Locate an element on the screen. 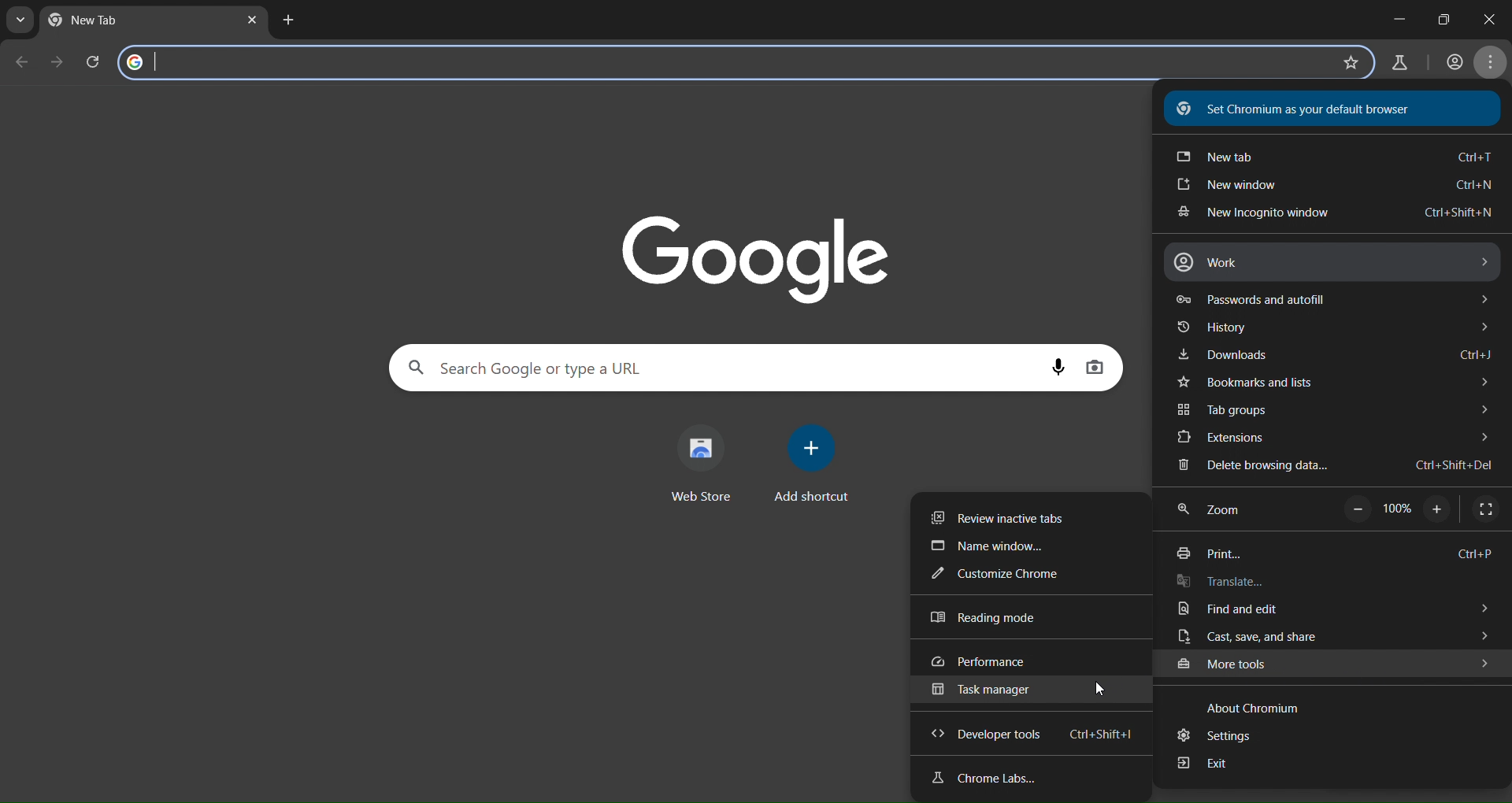  menu is located at coordinates (1492, 65).